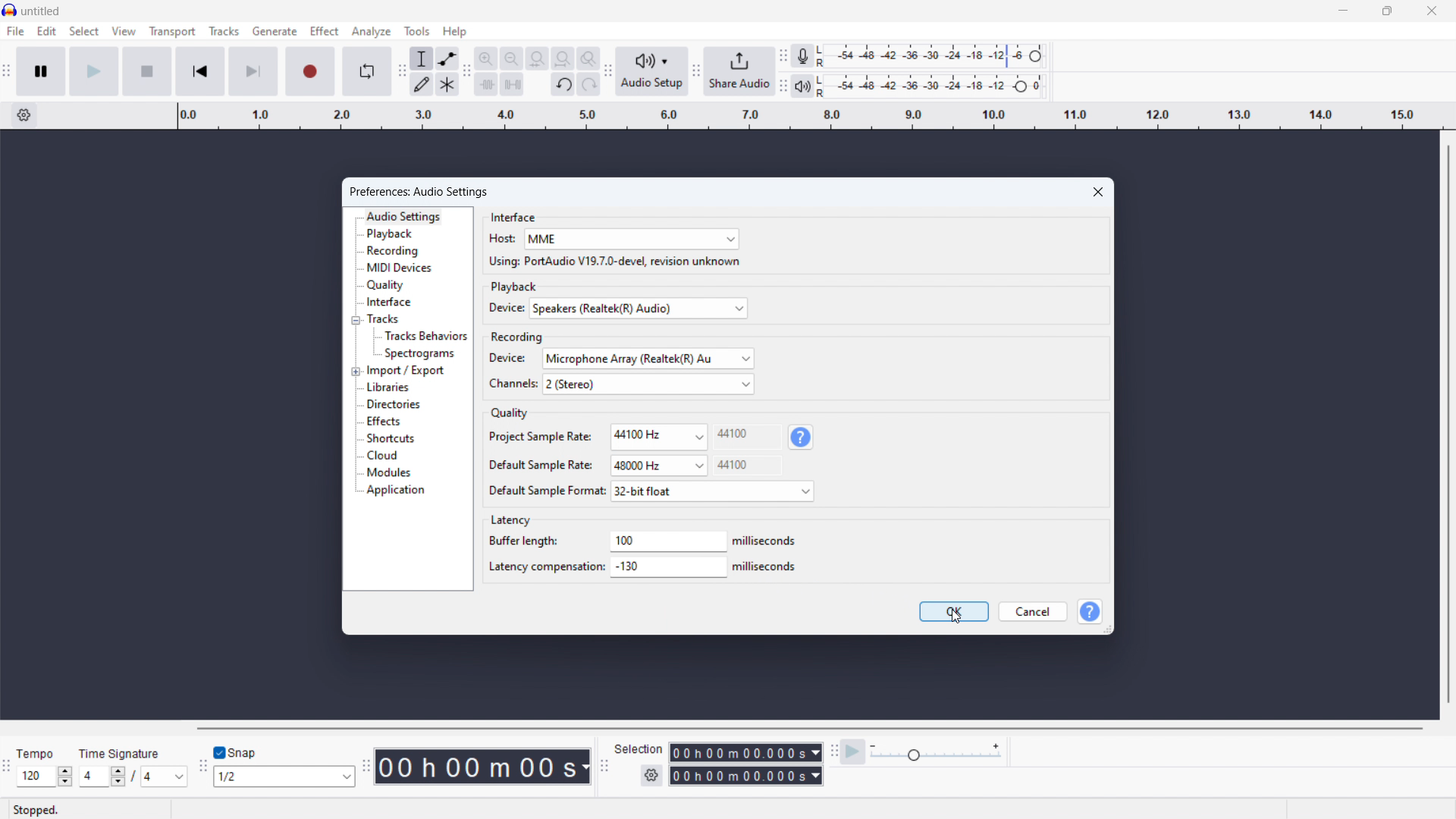 Image resolution: width=1456 pixels, height=819 pixels. I want to click on playback device, so click(639, 308).